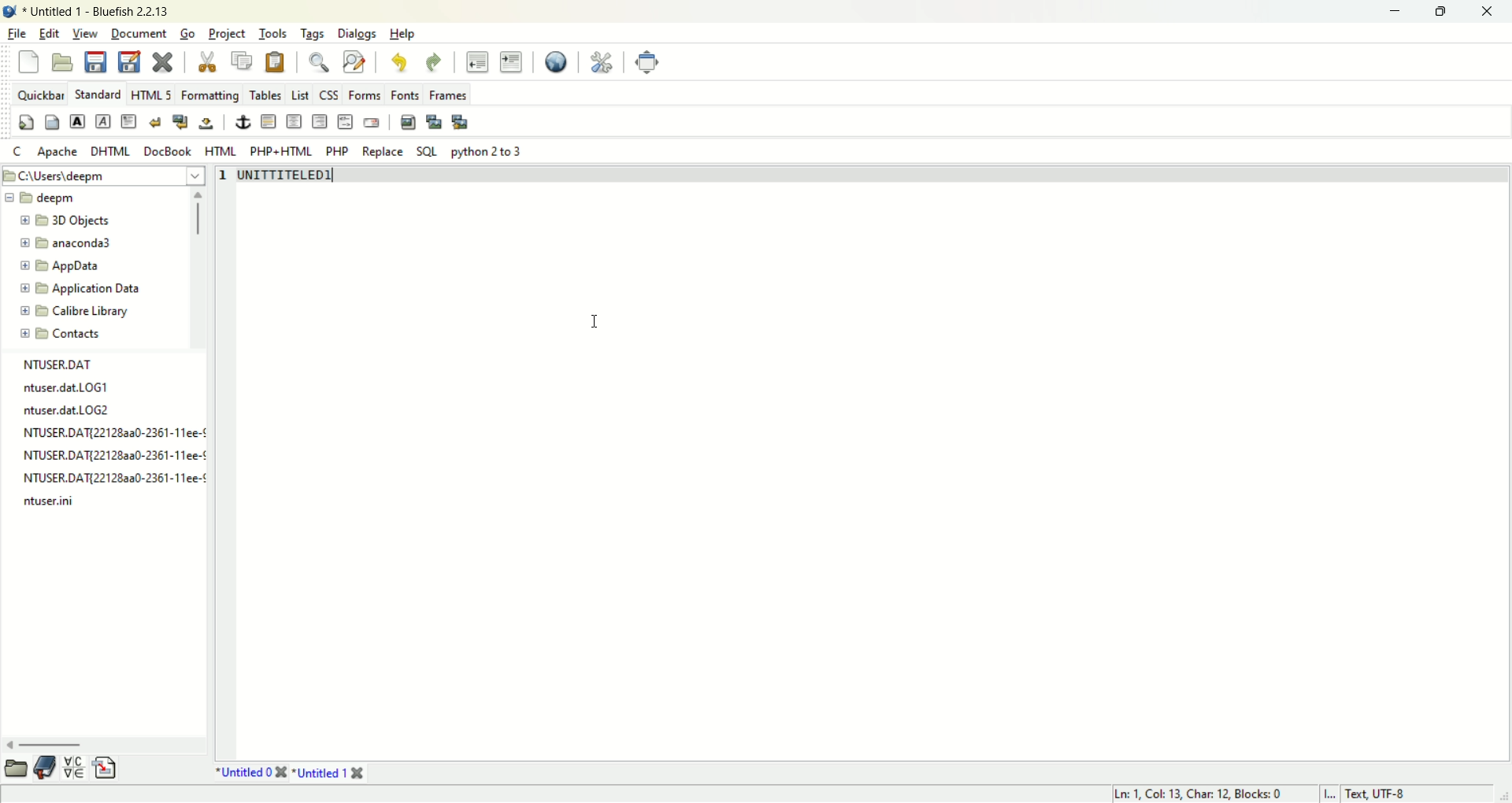 This screenshot has width=1512, height=803. Describe the element at coordinates (362, 94) in the screenshot. I see `forms` at that location.